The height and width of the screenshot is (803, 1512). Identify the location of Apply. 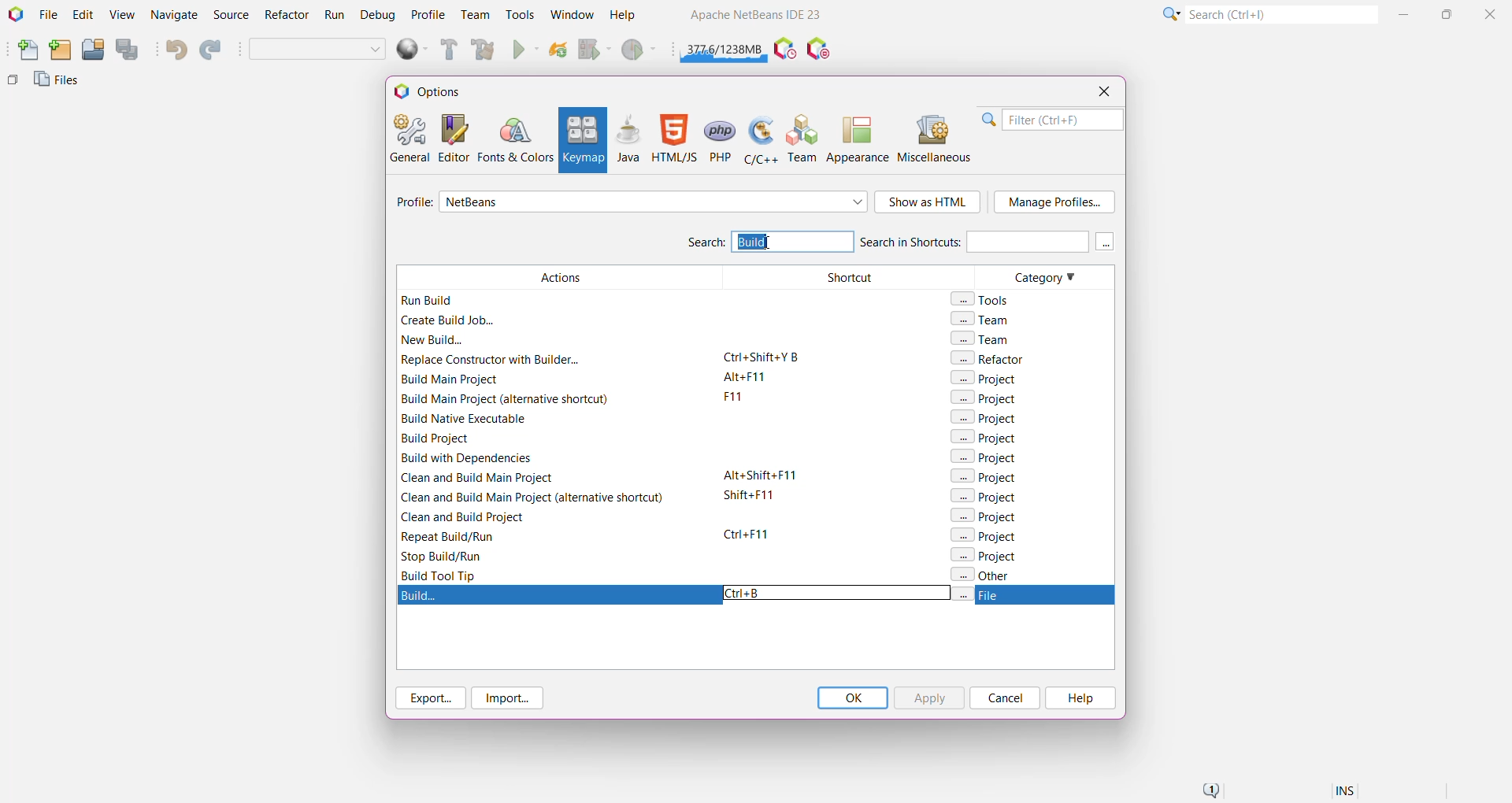
(928, 698).